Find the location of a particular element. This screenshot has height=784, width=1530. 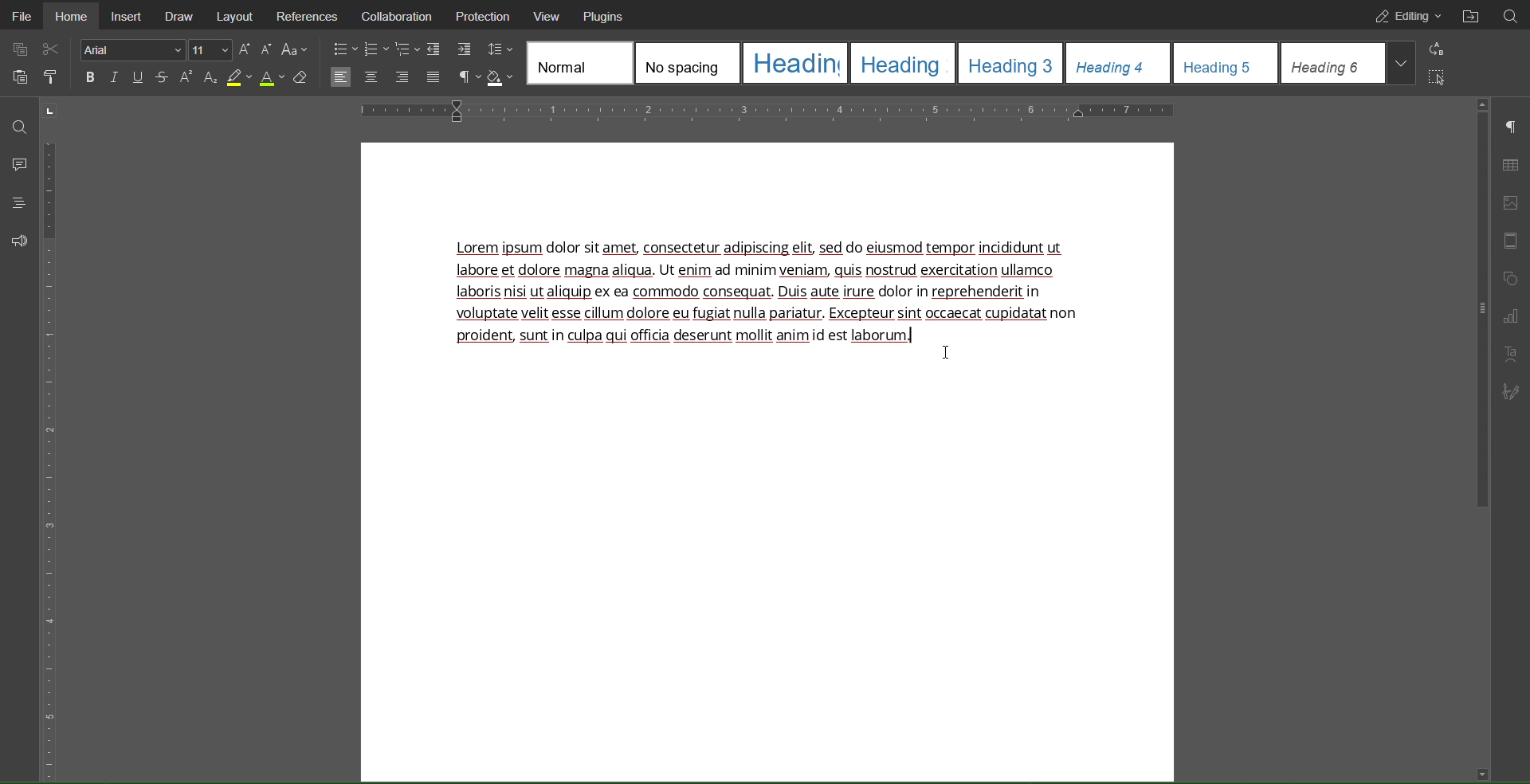

Erase is located at coordinates (301, 79).